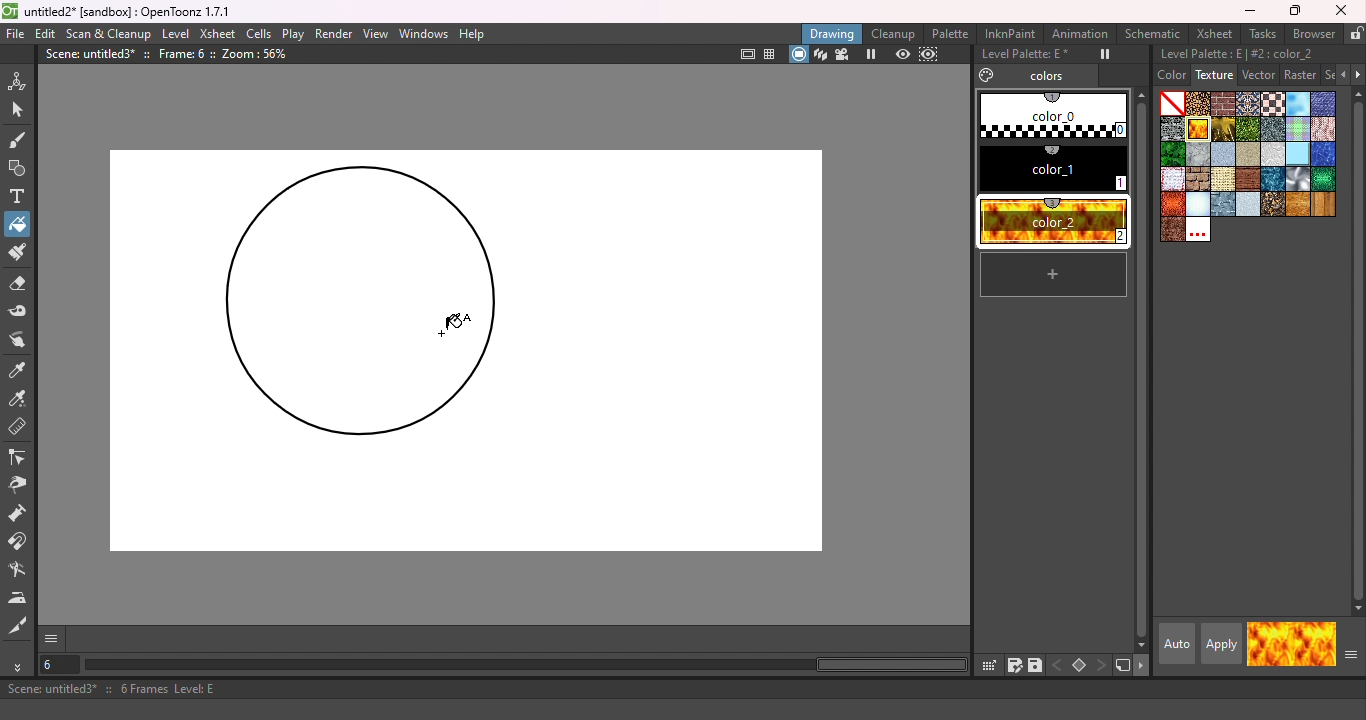 The image size is (1366, 720). What do you see at coordinates (19, 140) in the screenshot?
I see `Brush tool` at bounding box center [19, 140].